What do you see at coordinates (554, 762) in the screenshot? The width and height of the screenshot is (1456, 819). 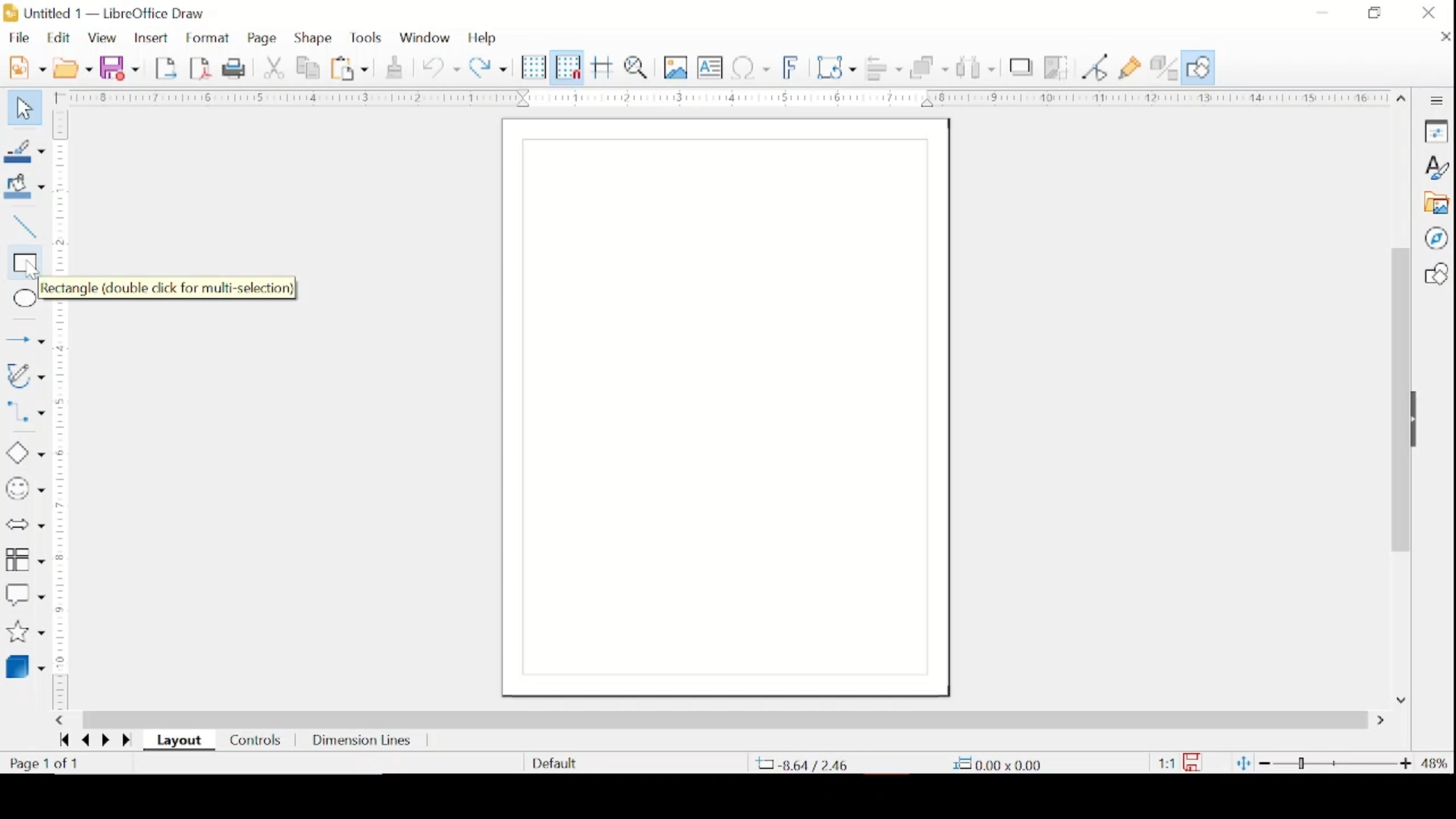 I see `default` at bounding box center [554, 762].